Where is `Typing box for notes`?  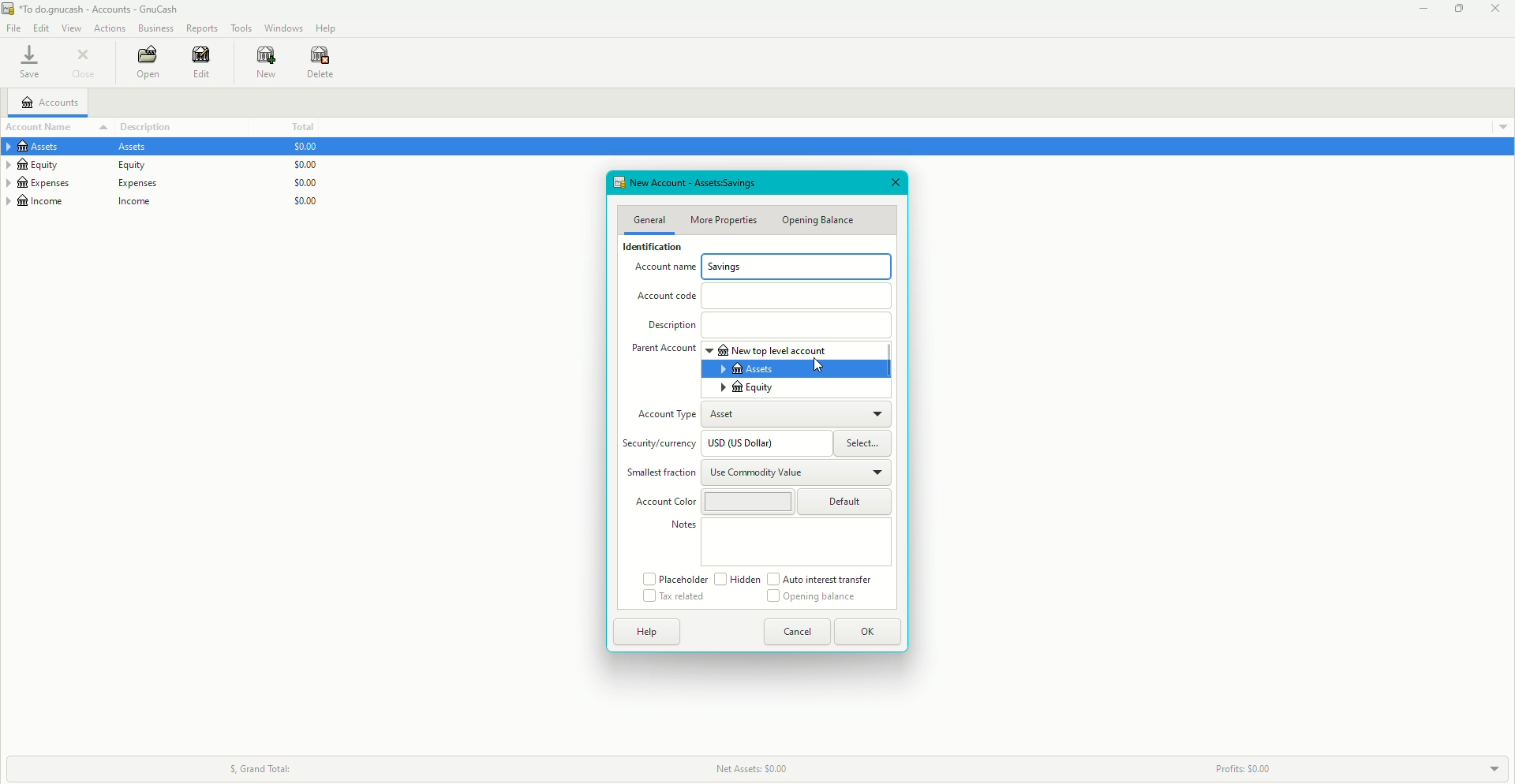 Typing box for notes is located at coordinates (797, 543).